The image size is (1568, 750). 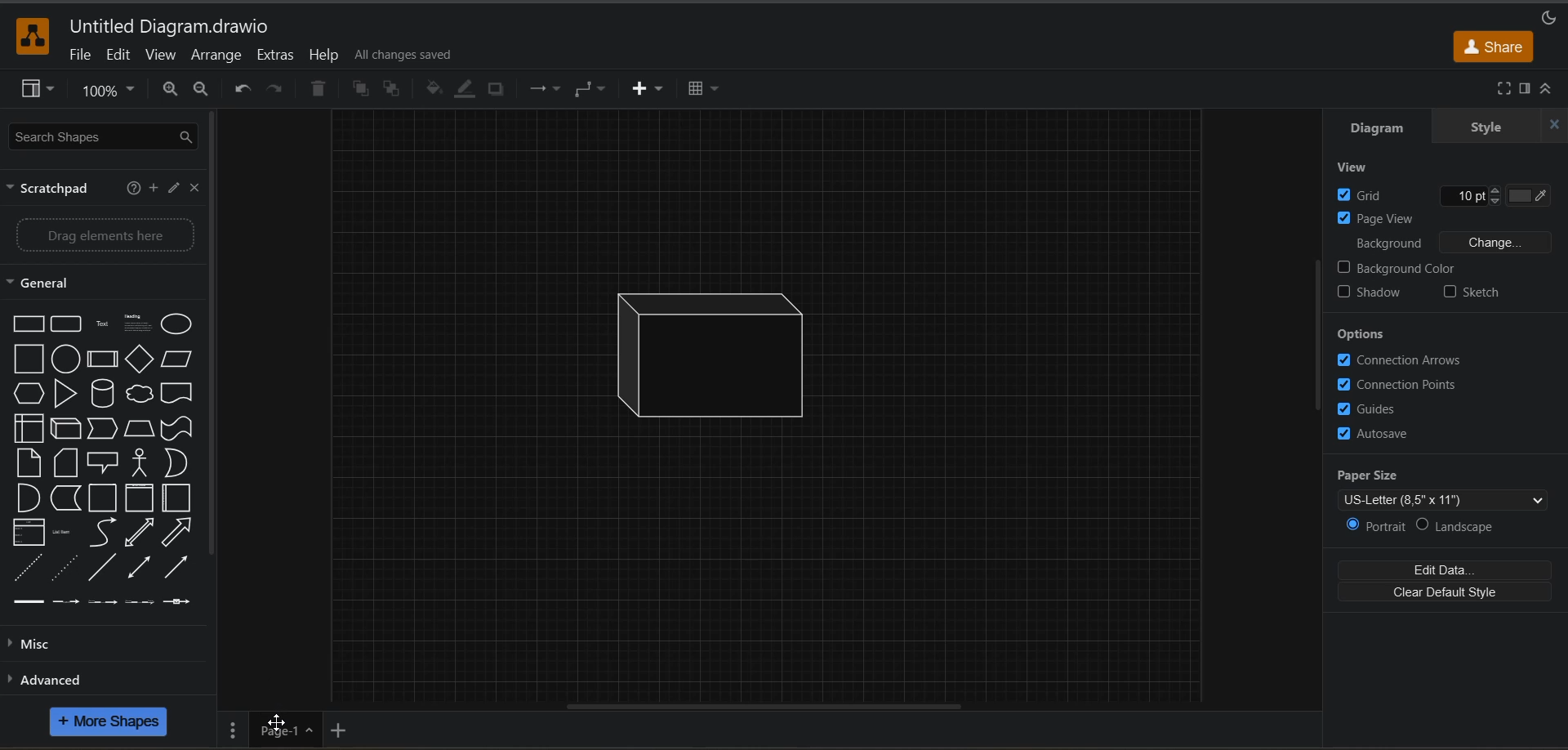 I want to click on paper size, so click(x=1452, y=488).